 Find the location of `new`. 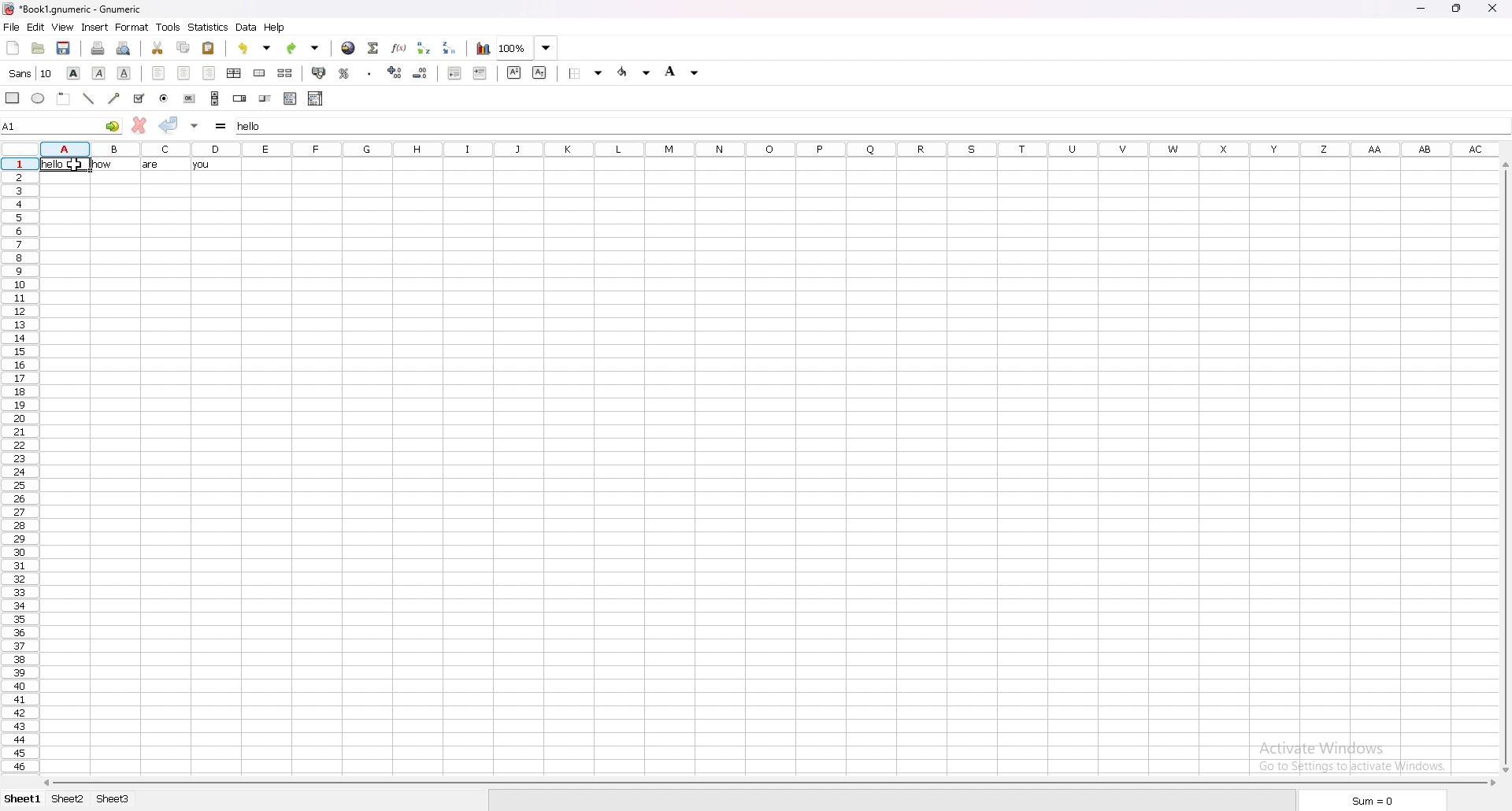

new is located at coordinates (12, 48).